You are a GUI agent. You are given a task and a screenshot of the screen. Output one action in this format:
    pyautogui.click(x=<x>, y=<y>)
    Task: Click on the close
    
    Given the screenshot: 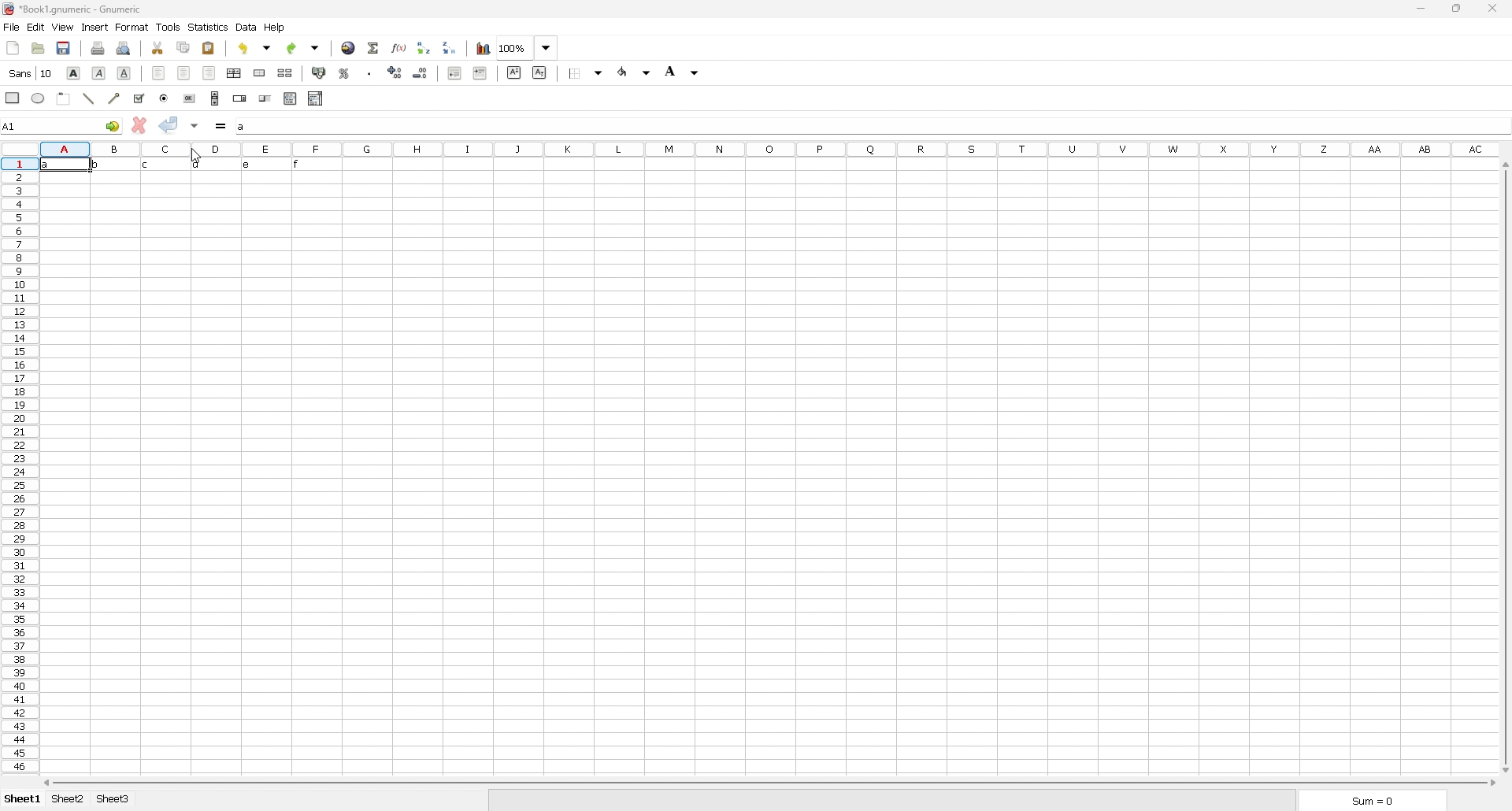 What is the action you would take?
    pyautogui.click(x=1492, y=8)
    